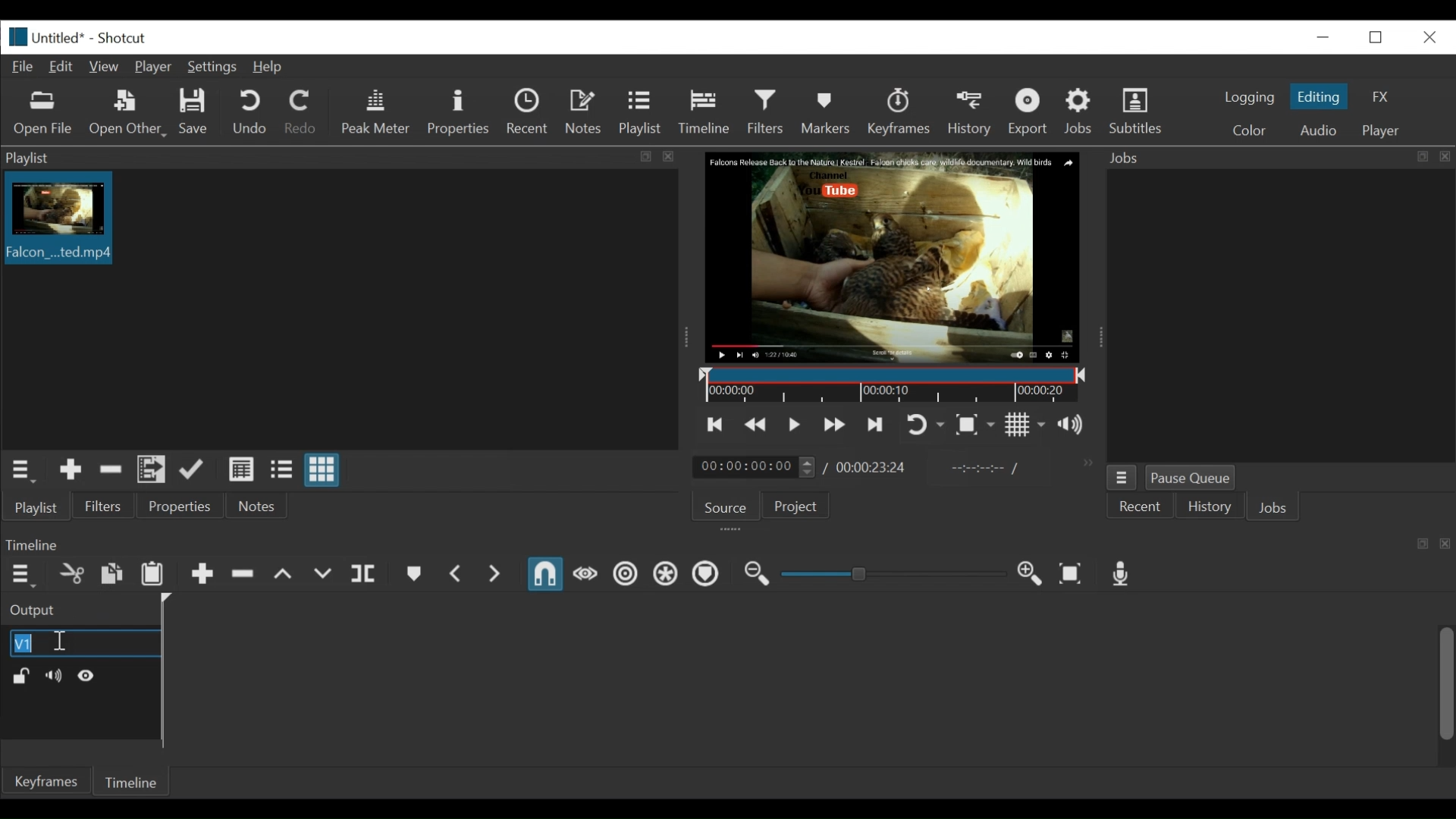 The image size is (1456, 819). What do you see at coordinates (1272, 315) in the screenshot?
I see `Jobs panel` at bounding box center [1272, 315].